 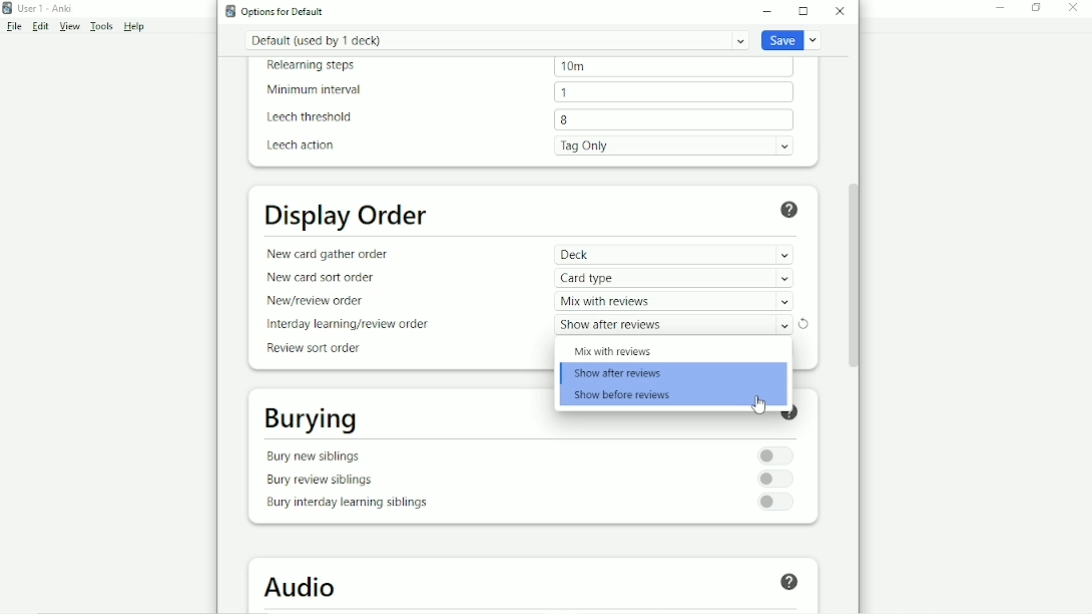 What do you see at coordinates (314, 301) in the screenshot?
I see `New/review order` at bounding box center [314, 301].